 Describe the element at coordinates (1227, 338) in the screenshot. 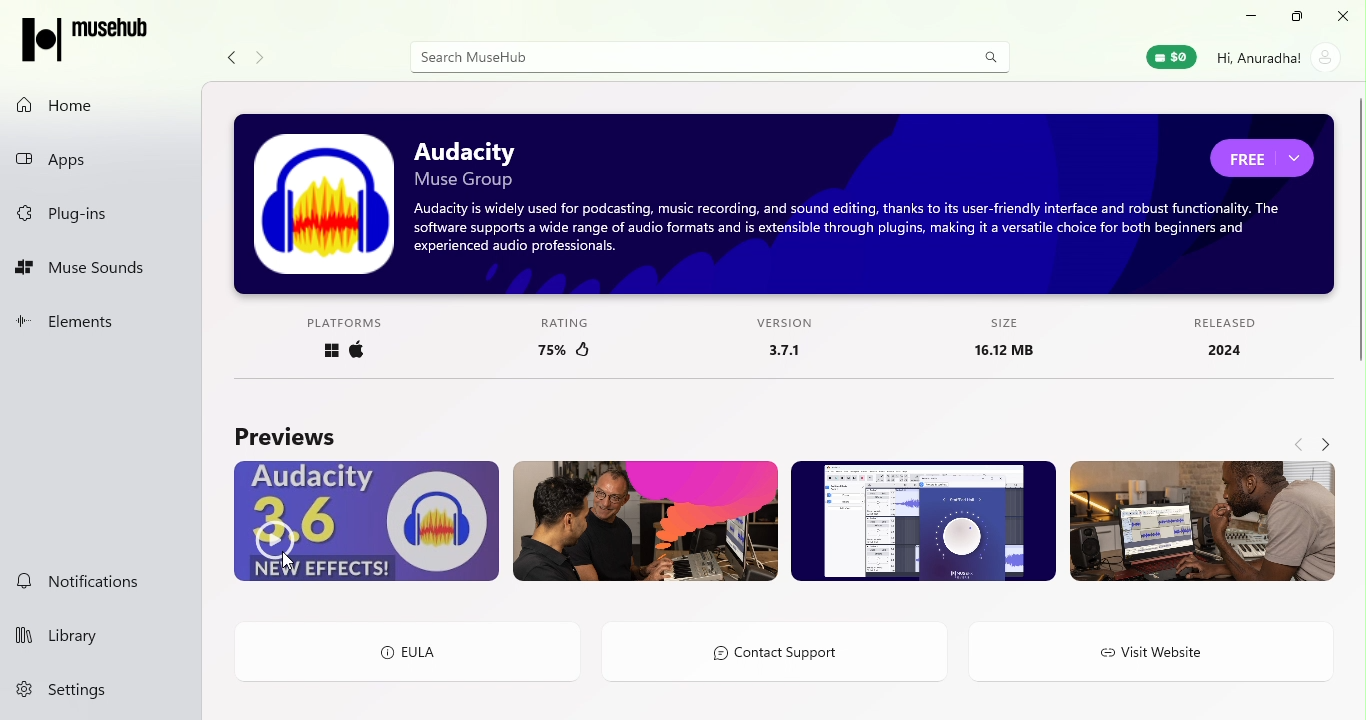

I see `Released` at that location.